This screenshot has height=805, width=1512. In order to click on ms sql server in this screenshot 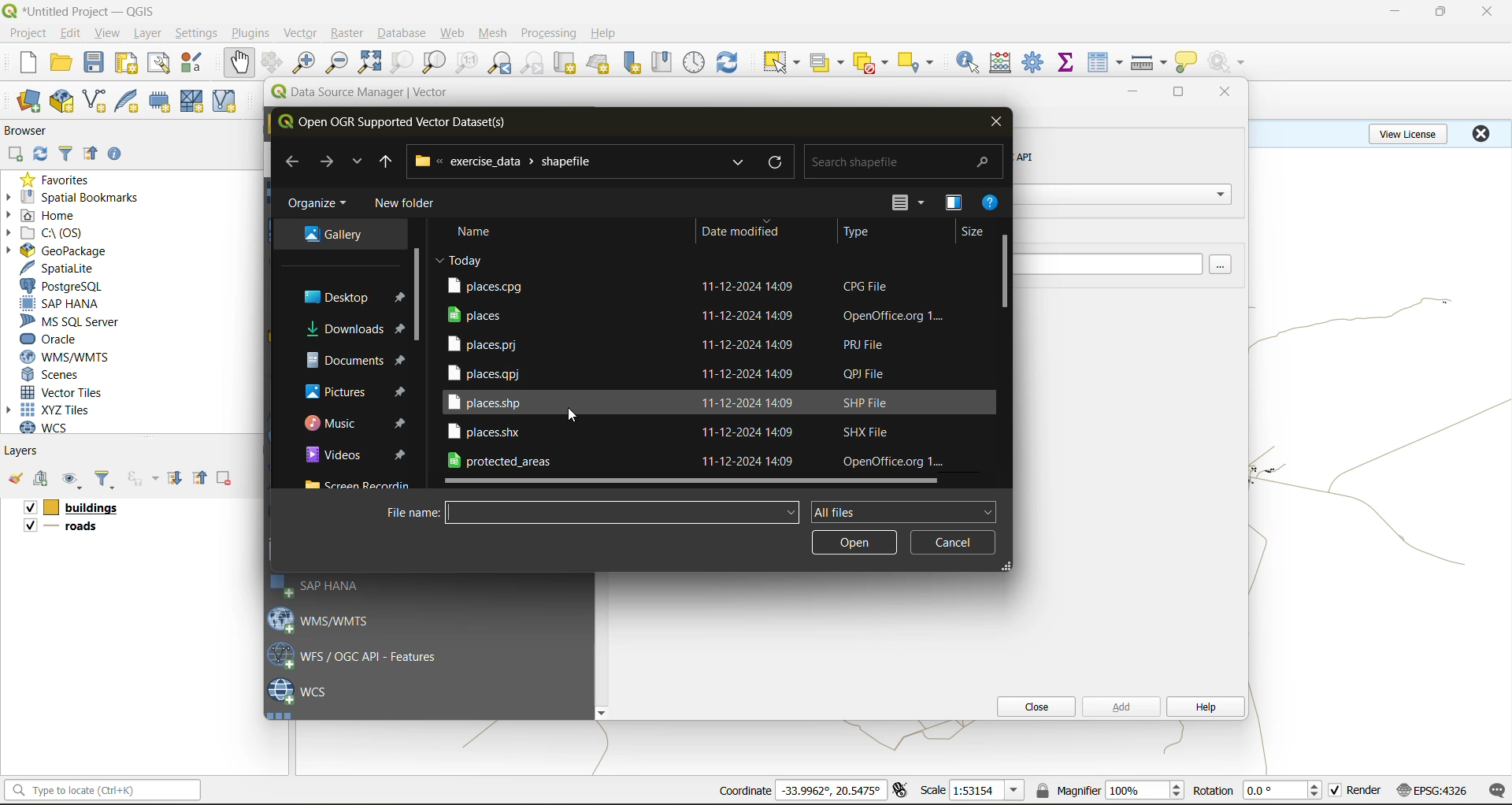, I will do `click(76, 321)`.